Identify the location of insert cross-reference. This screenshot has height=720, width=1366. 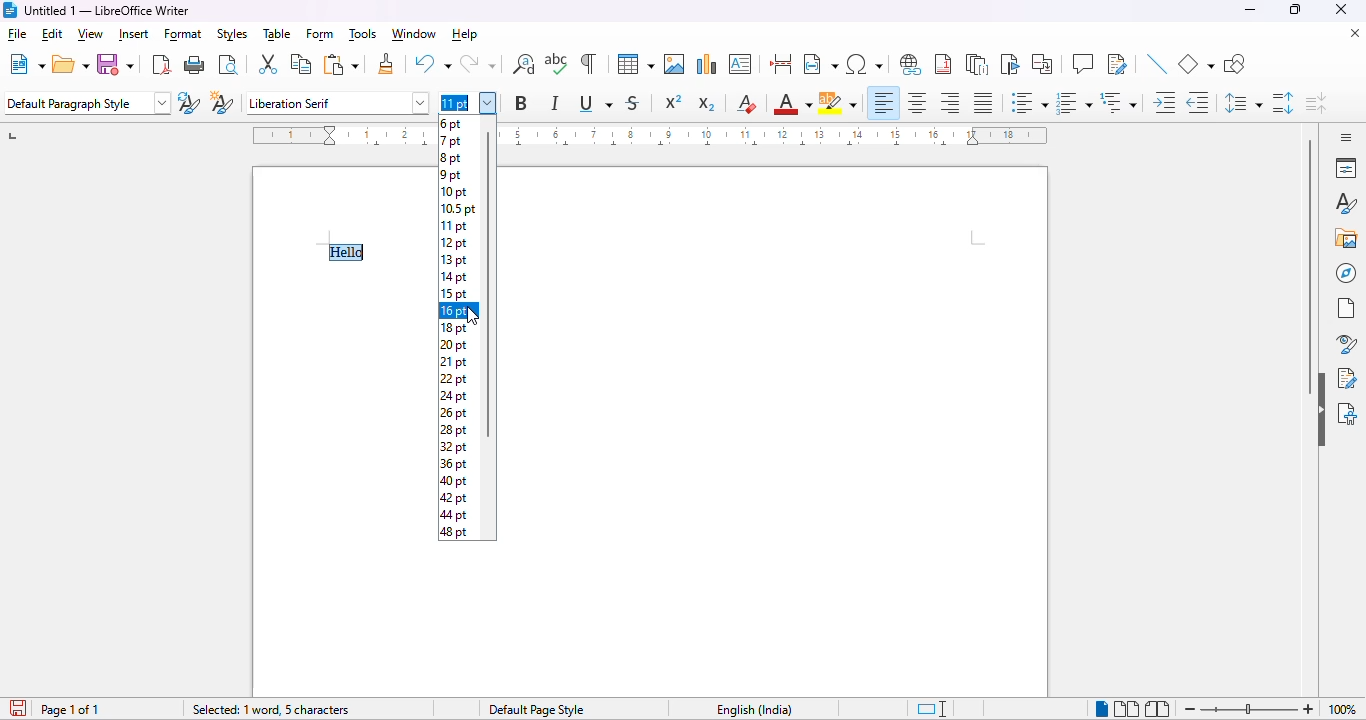
(1043, 64).